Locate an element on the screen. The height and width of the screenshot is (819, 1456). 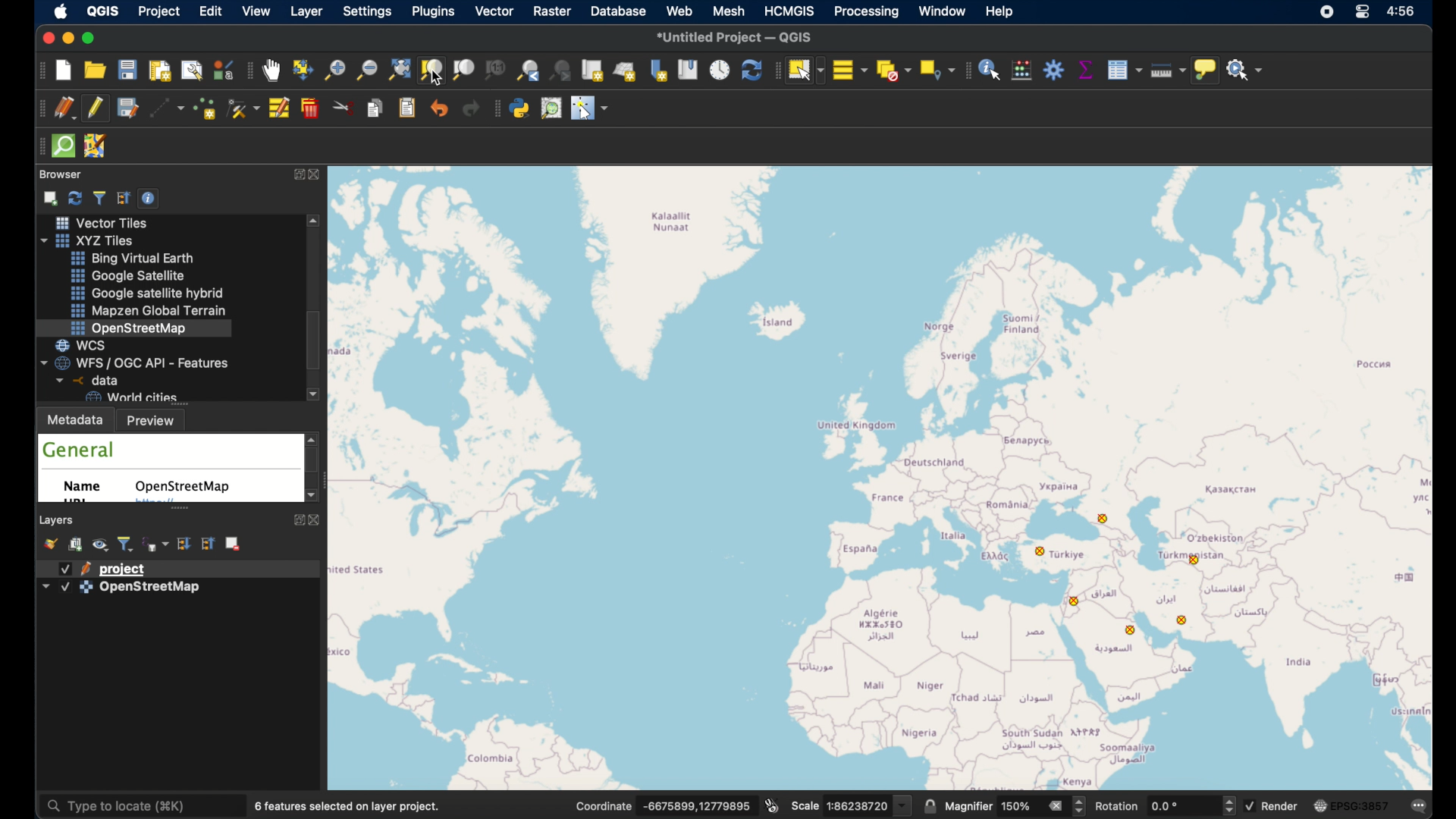
time is located at coordinates (1404, 13).